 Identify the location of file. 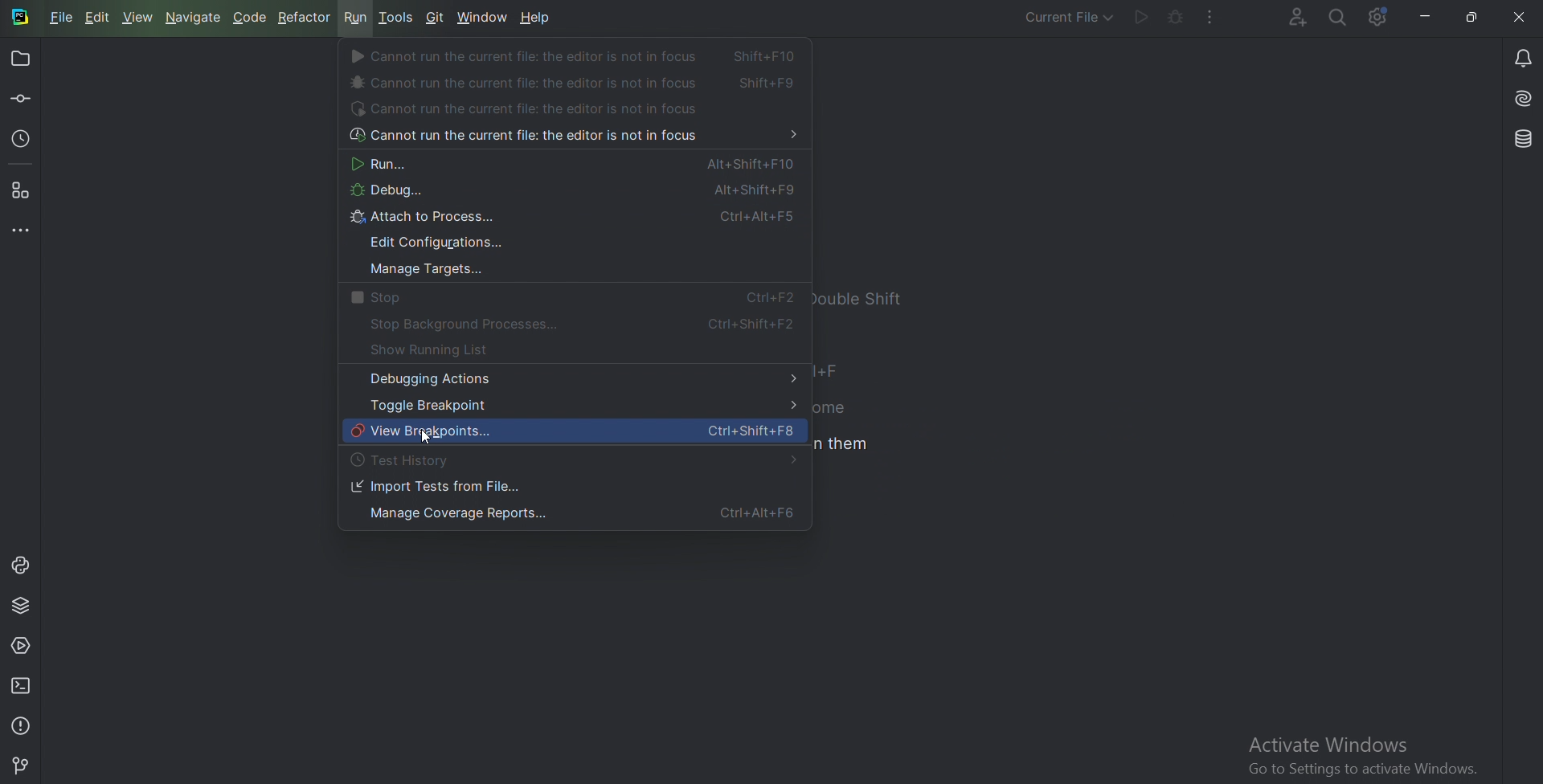
(62, 18).